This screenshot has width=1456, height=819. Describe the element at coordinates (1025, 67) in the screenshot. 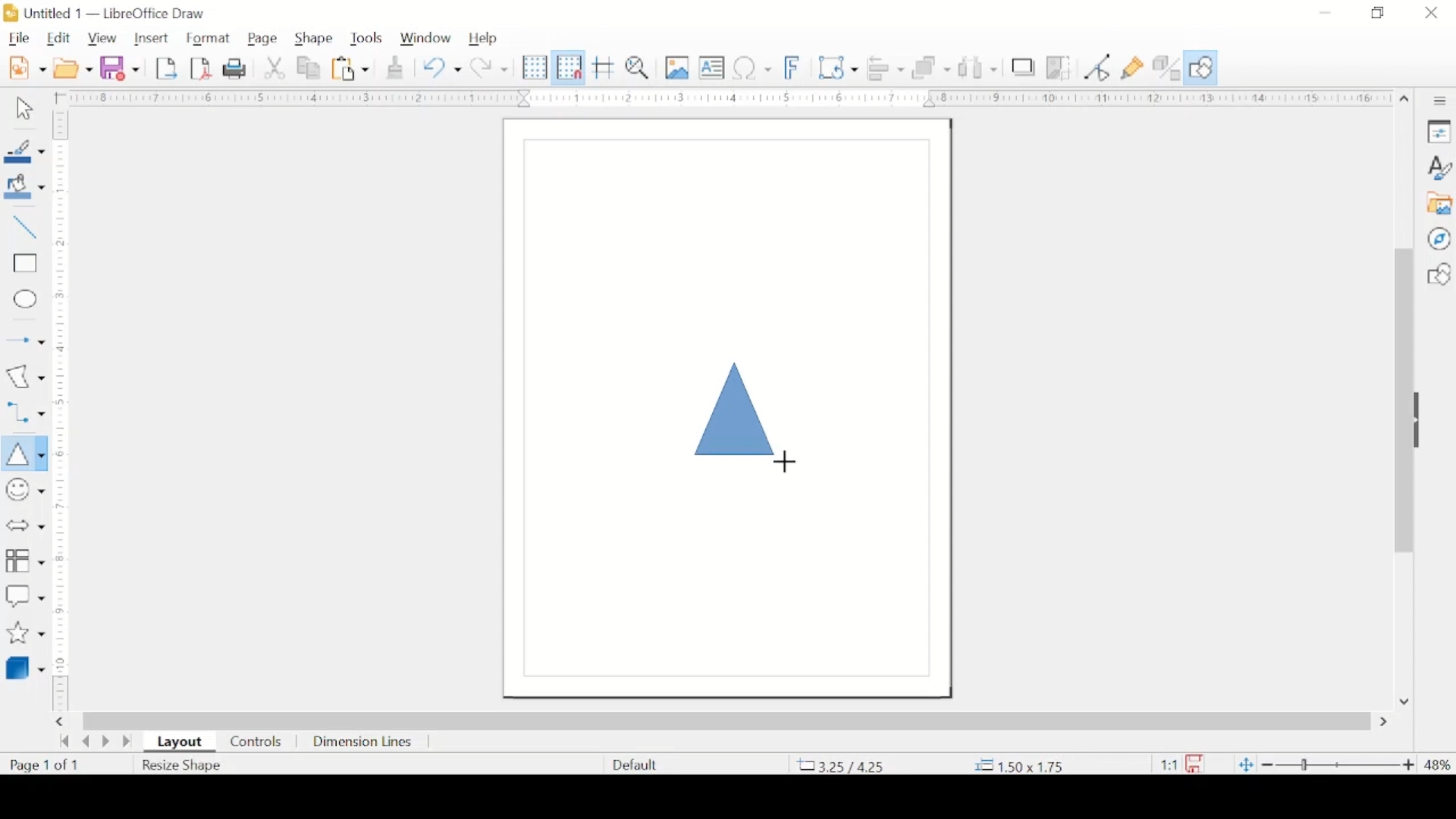

I see `shadow` at that location.